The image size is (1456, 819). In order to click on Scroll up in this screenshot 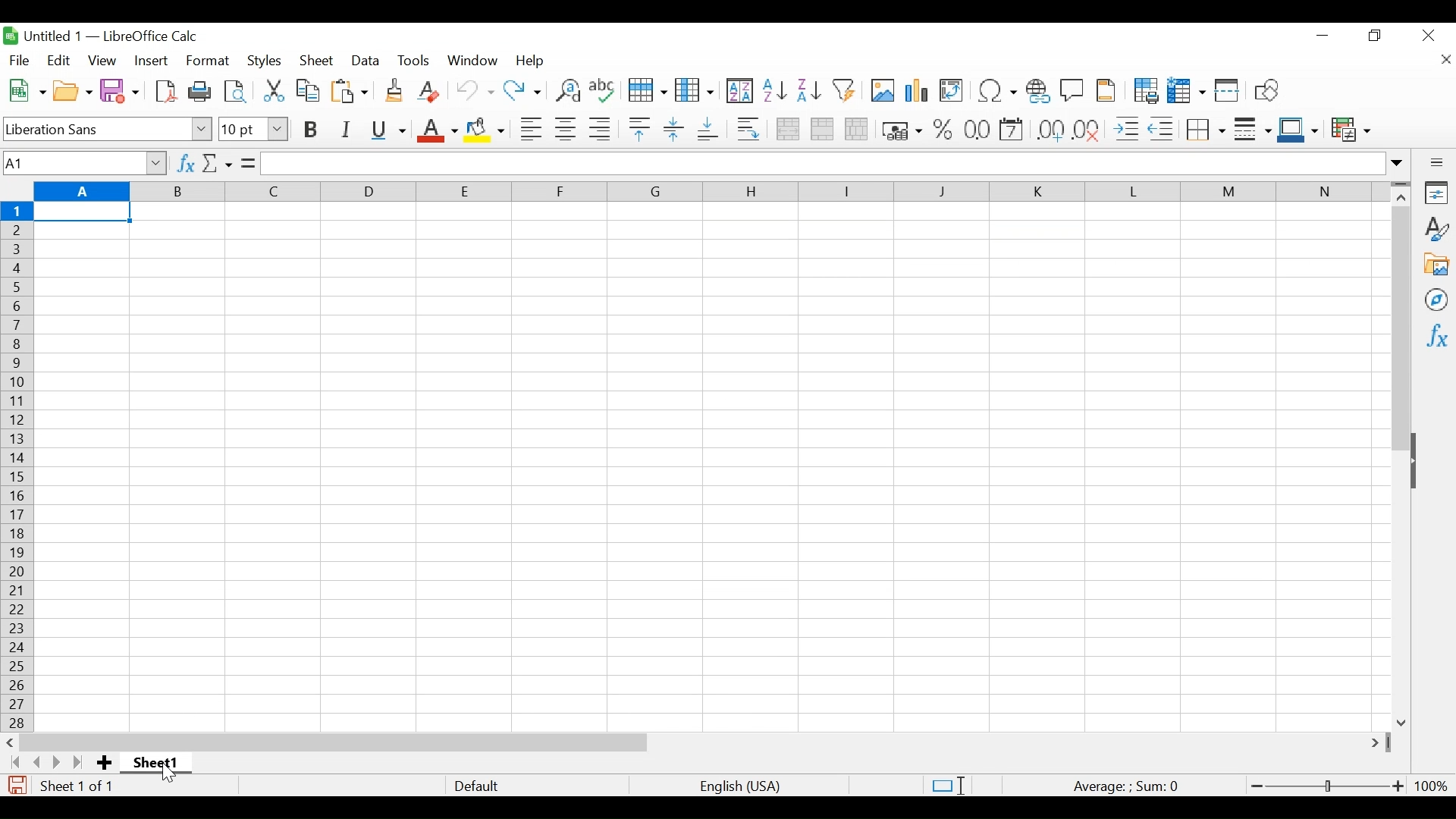, I will do `click(1401, 199)`.